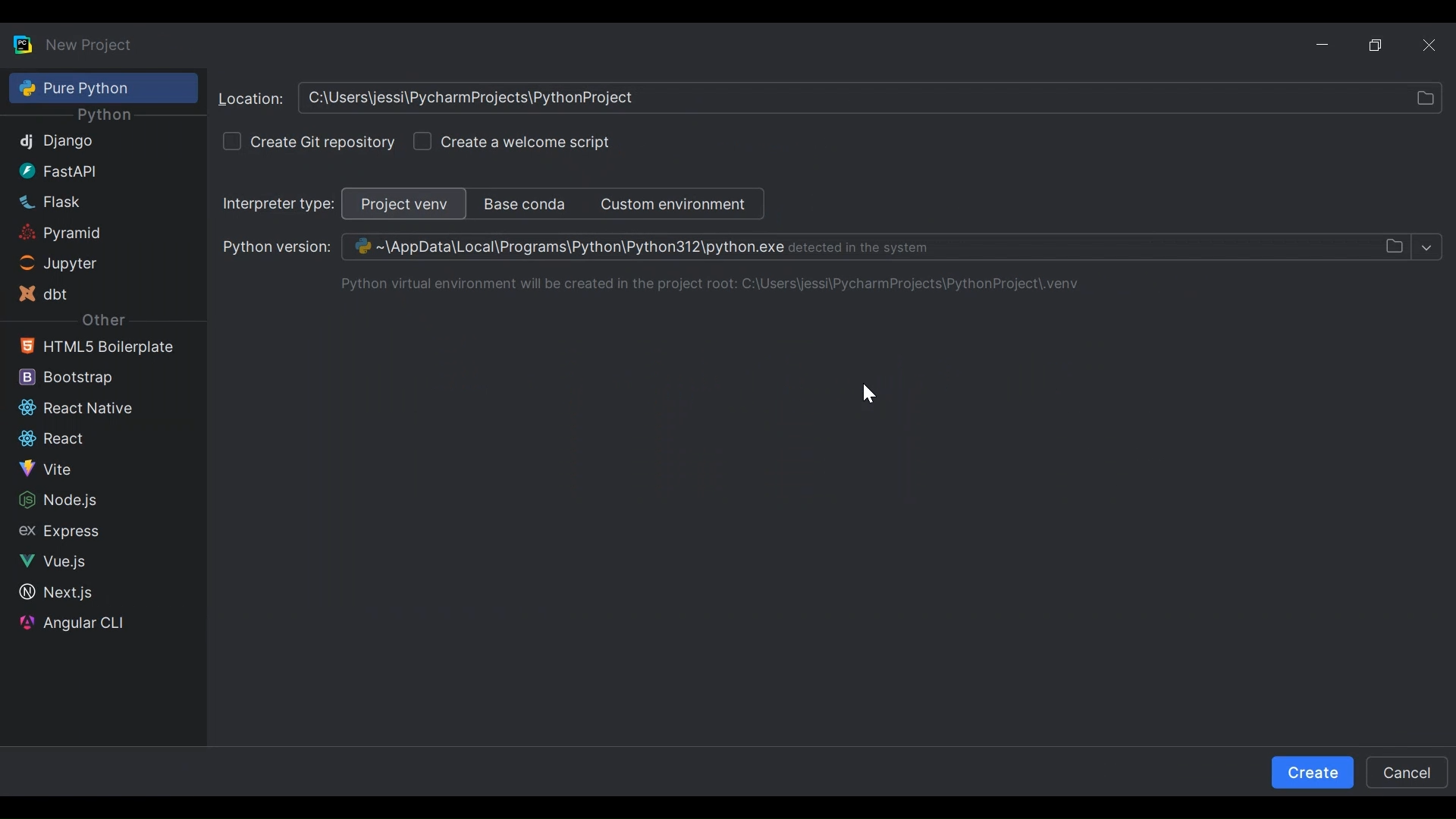 The image size is (1456, 819). I want to click on Flask, so click(94, 203).